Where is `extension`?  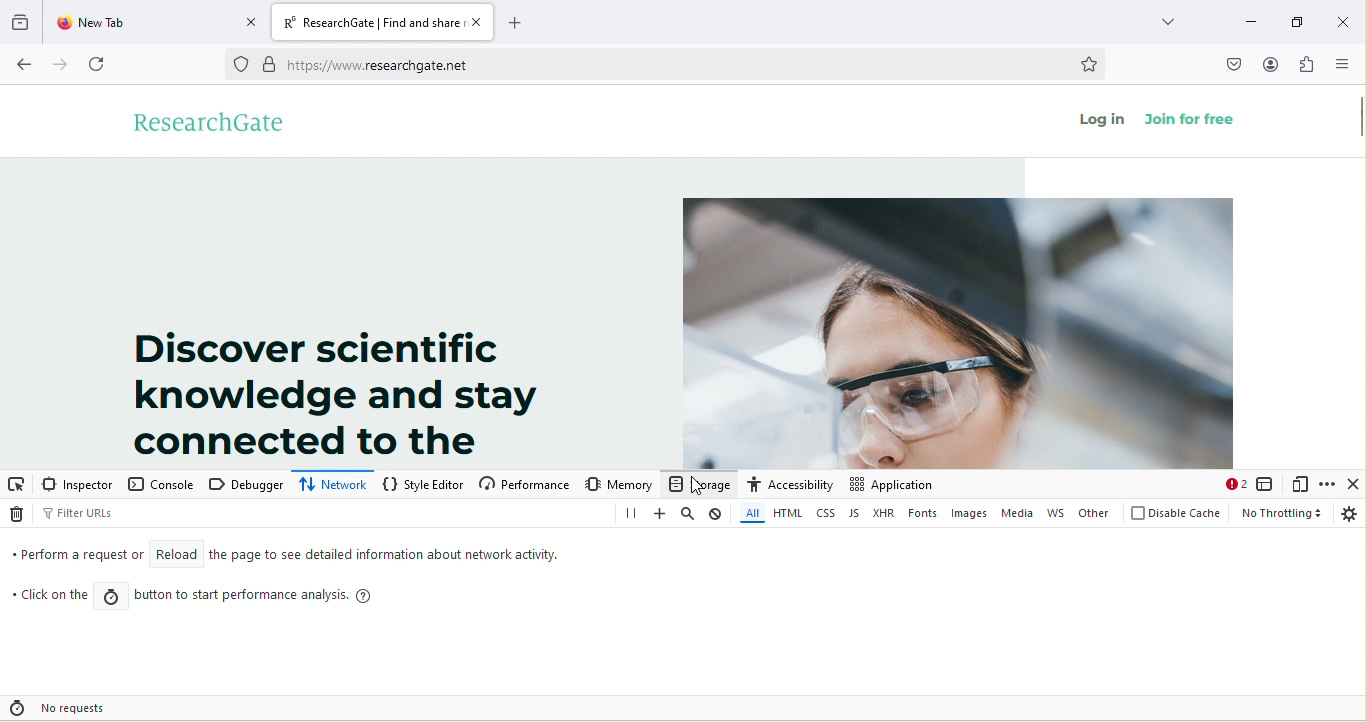 extension is located at coordinates (1306, 63).